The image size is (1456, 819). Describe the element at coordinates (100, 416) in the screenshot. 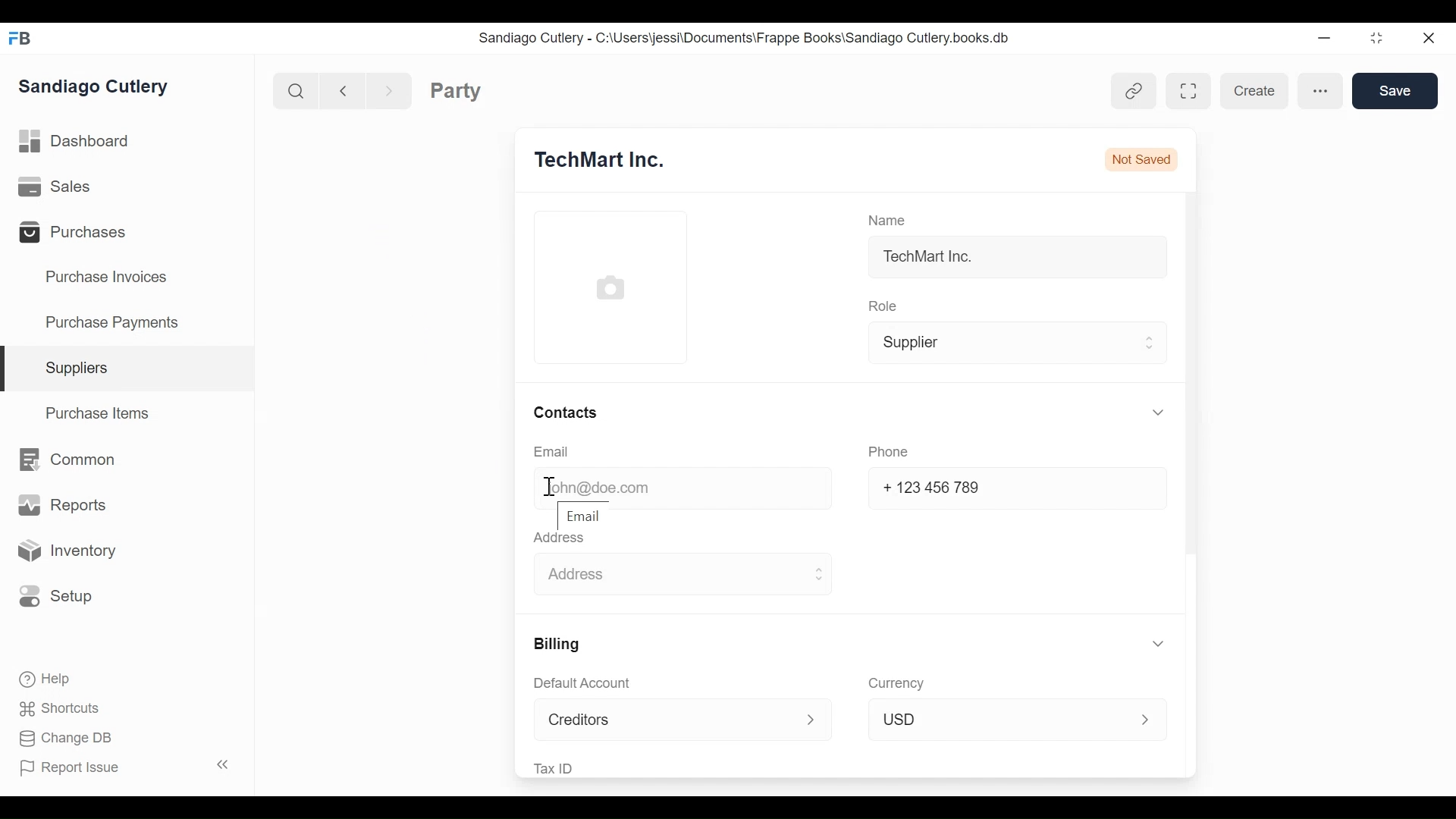

I see `Purchase items` at that location.